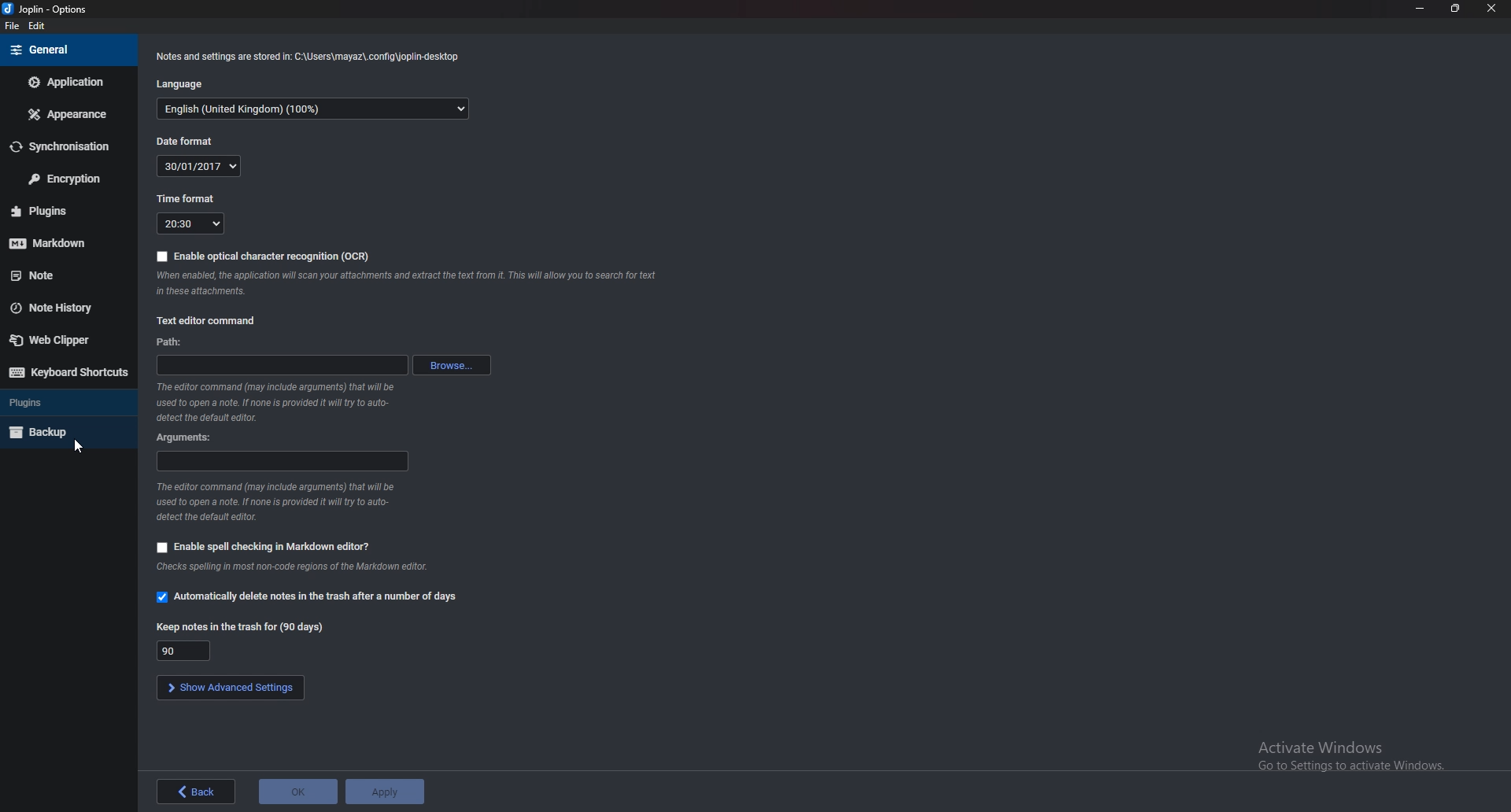  Describe the element at coordinates (279, 403) in the screenshot. I see `Info` at that location.